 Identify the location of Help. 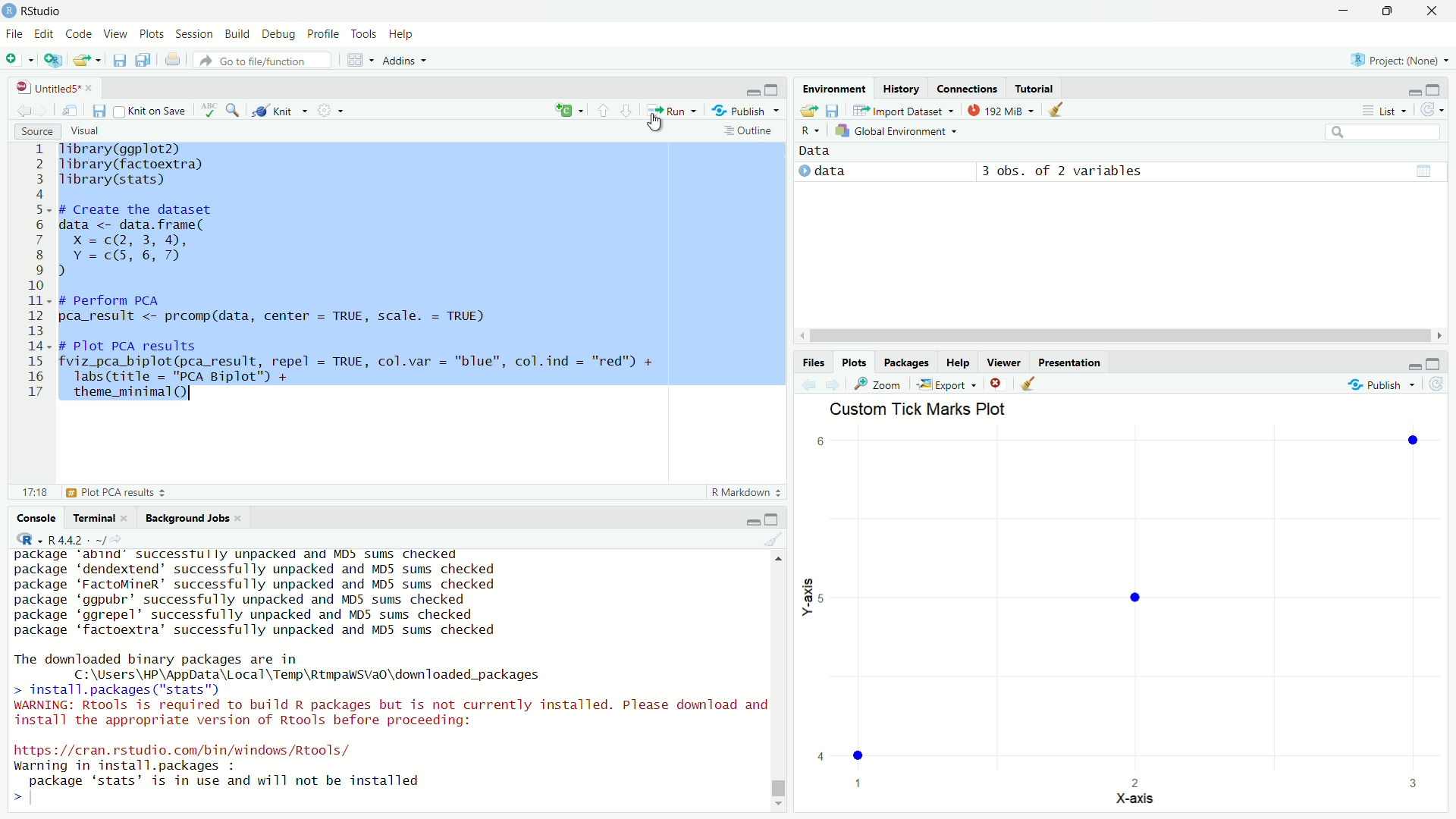
(403, 34).